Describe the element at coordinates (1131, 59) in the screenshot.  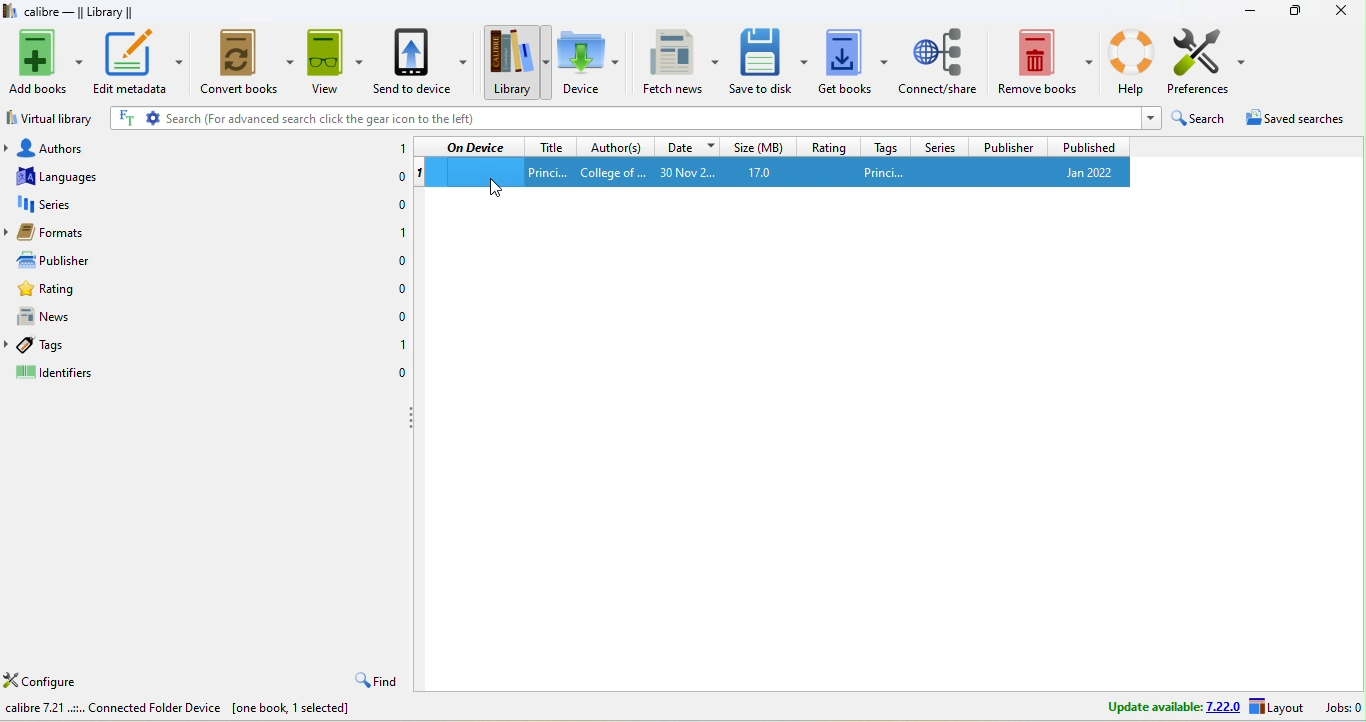
I see `help` at that location.